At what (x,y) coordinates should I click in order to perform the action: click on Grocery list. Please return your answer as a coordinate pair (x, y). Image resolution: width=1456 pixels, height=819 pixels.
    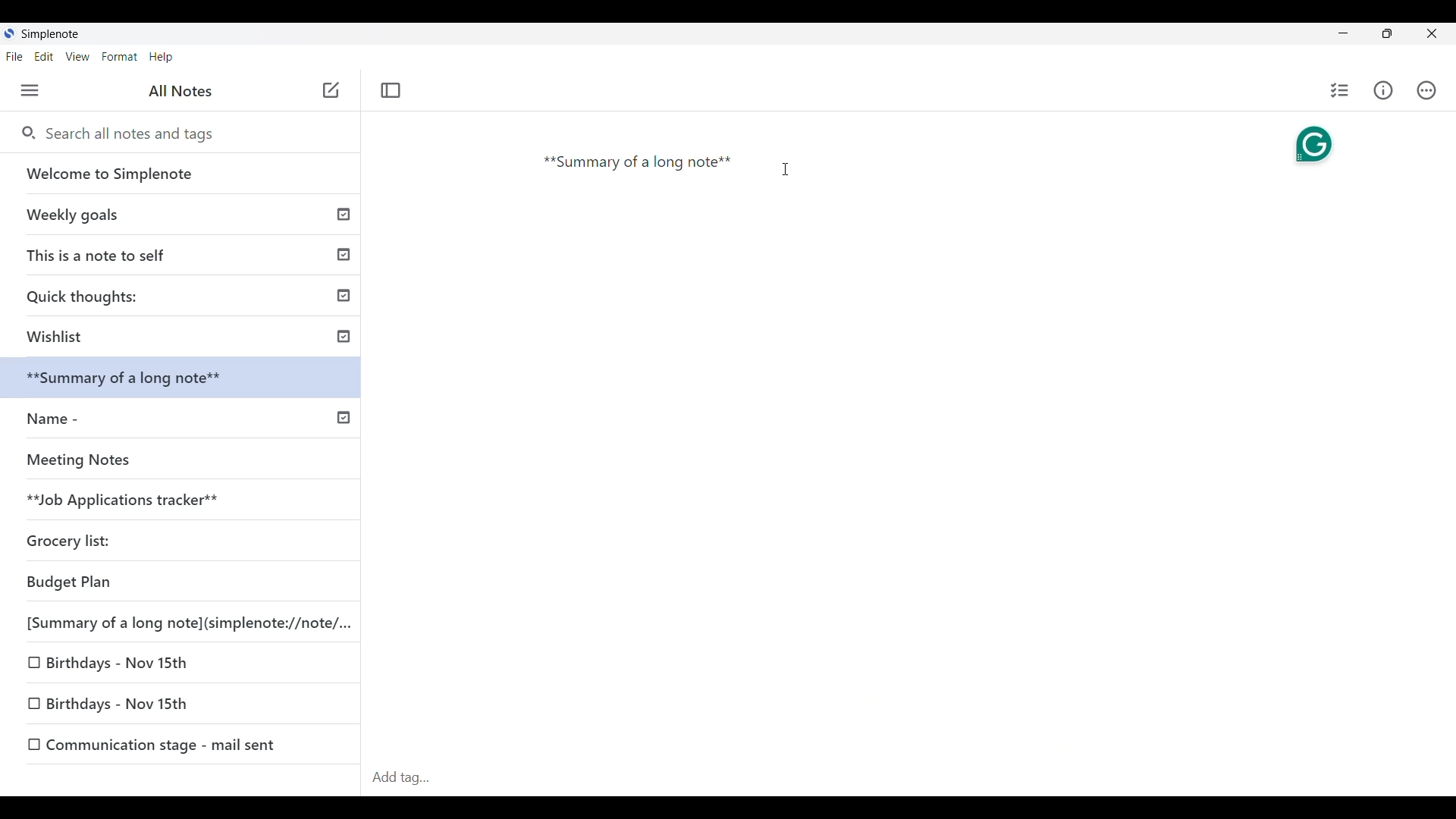
    Looking at the image, I should click on (92, 534).